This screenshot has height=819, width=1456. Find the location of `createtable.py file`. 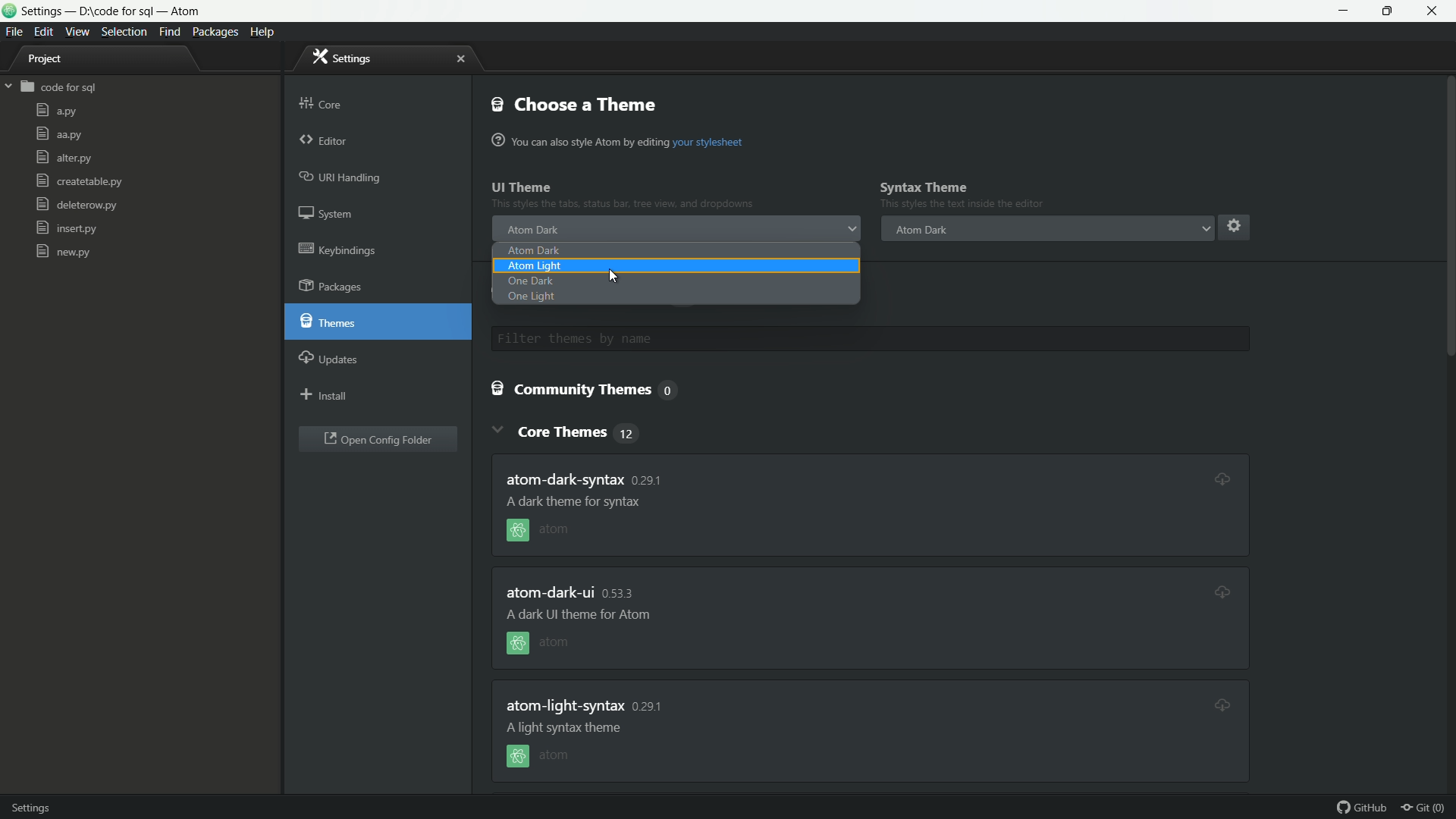

createtable.py file is located at coordinates (78, 182).